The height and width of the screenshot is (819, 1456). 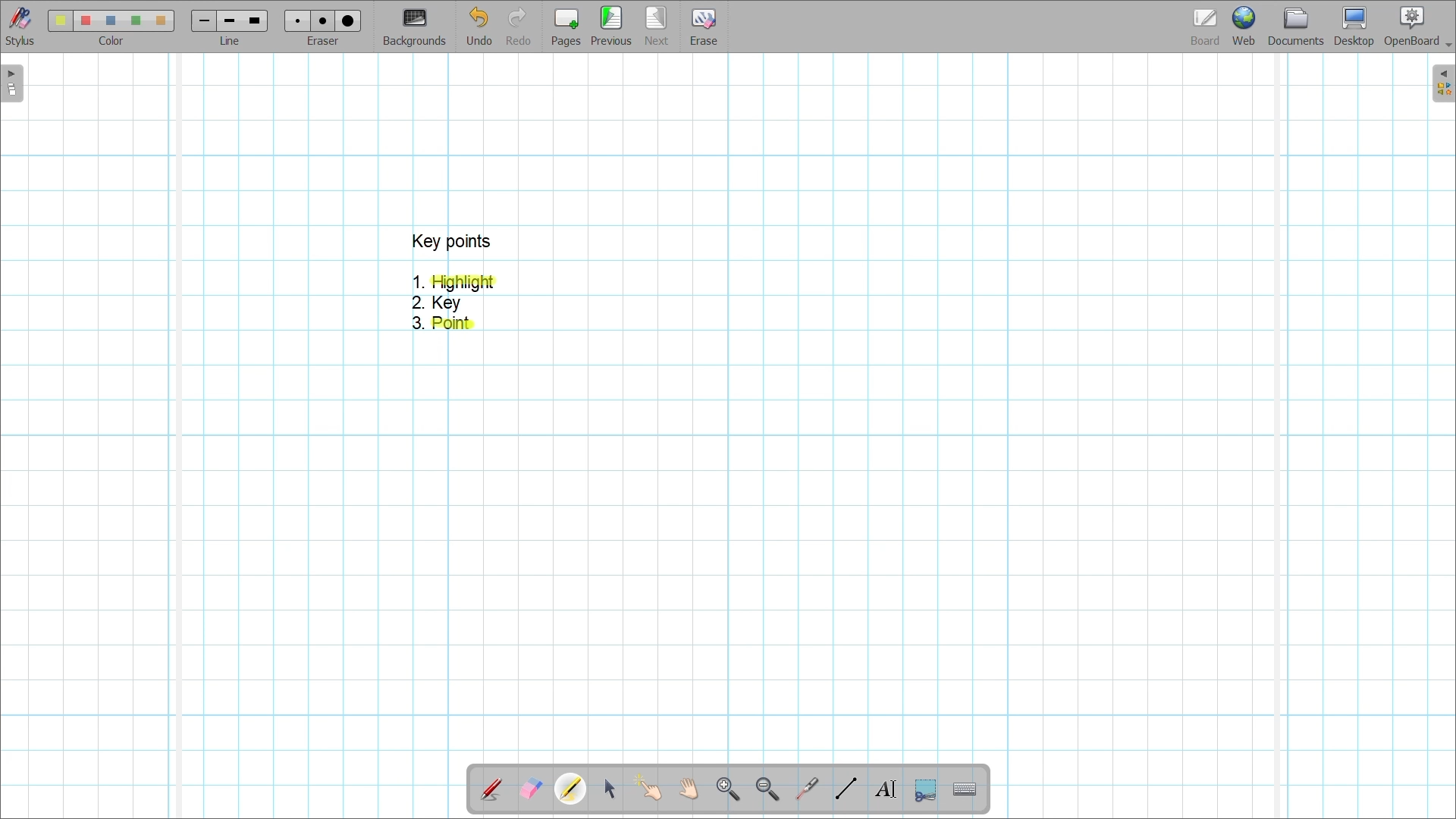 I want to click on Line 1, so click(x=202, y=20).